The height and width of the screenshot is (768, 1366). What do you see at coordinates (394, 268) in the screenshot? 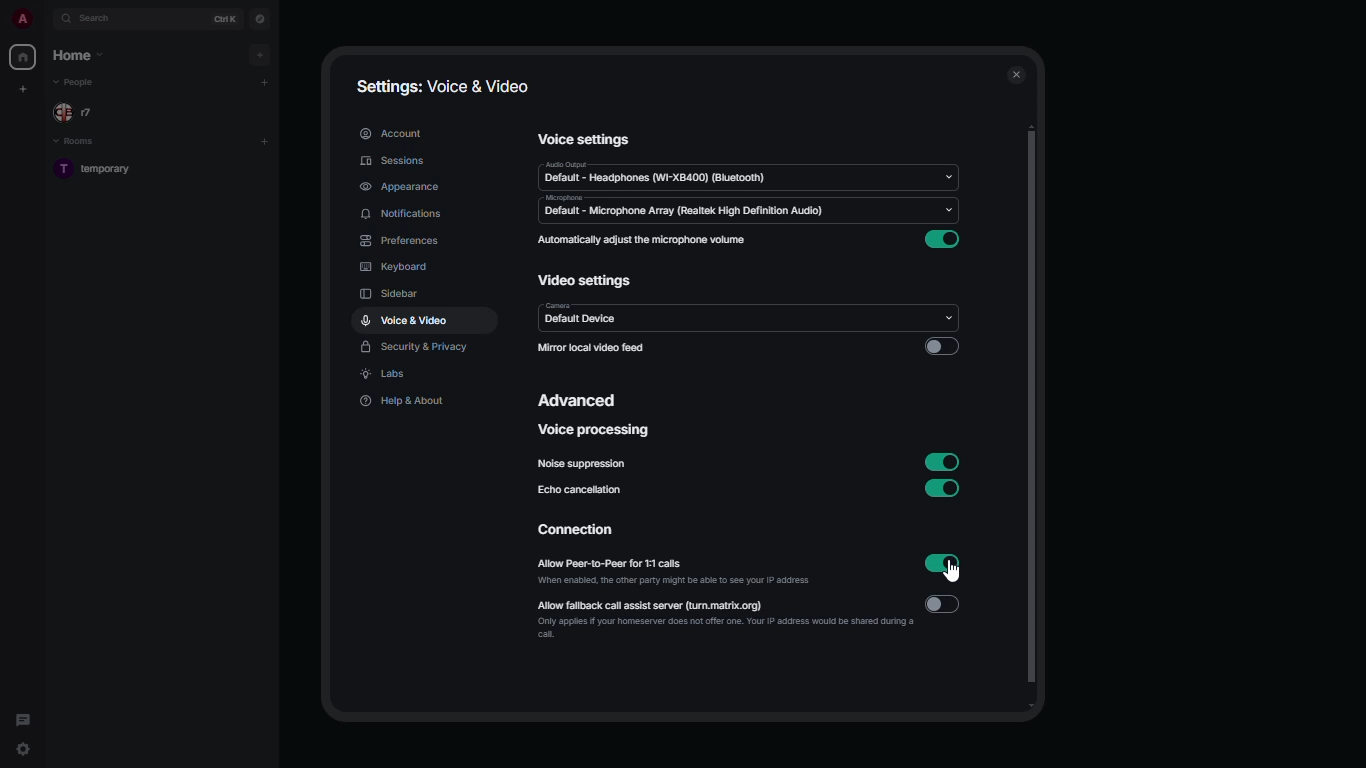
I see `keyboard` at bounding box center [394, 268].